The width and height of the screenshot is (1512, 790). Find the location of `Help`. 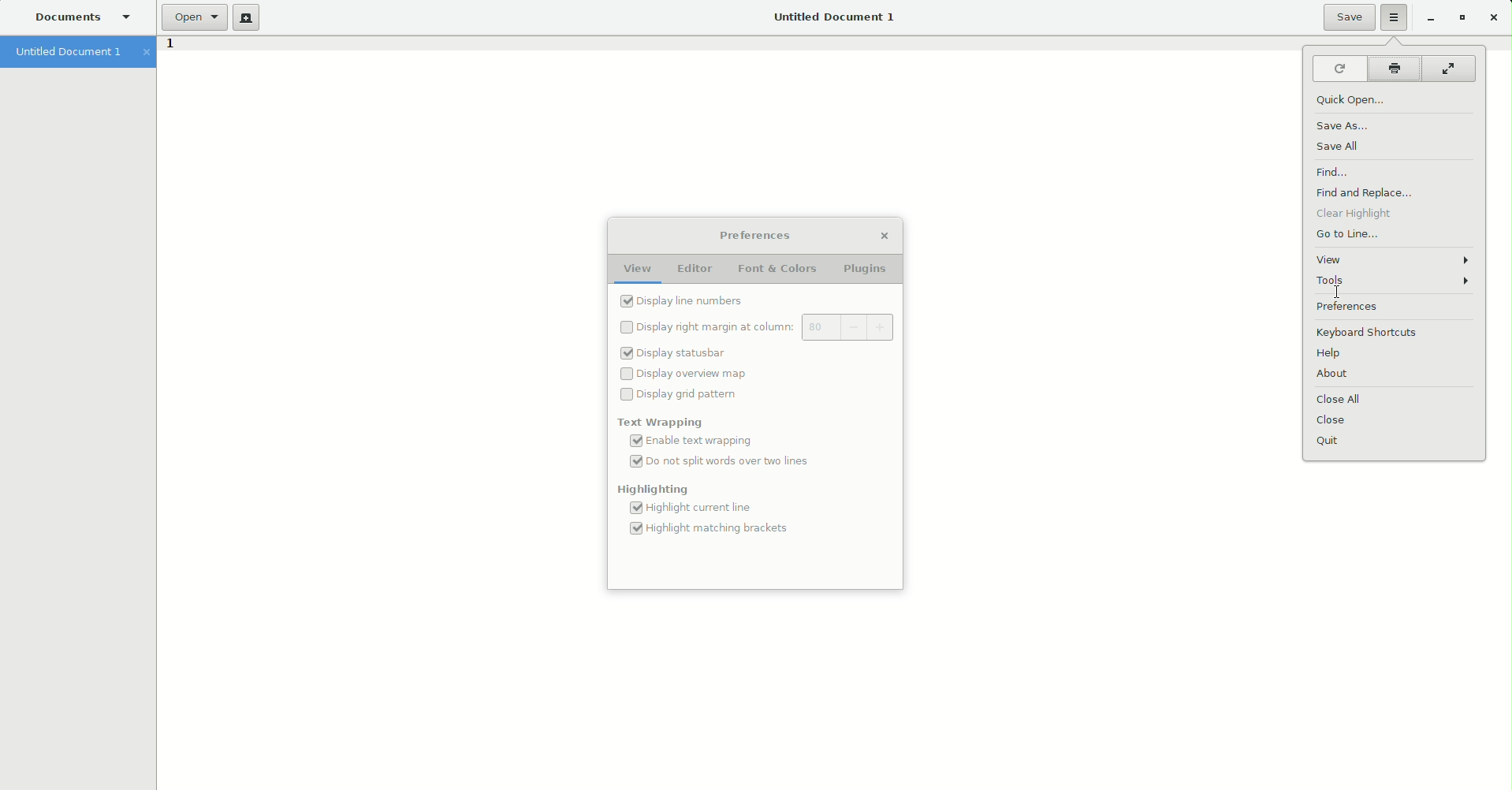

Help is located at coordinates (1335, 354).